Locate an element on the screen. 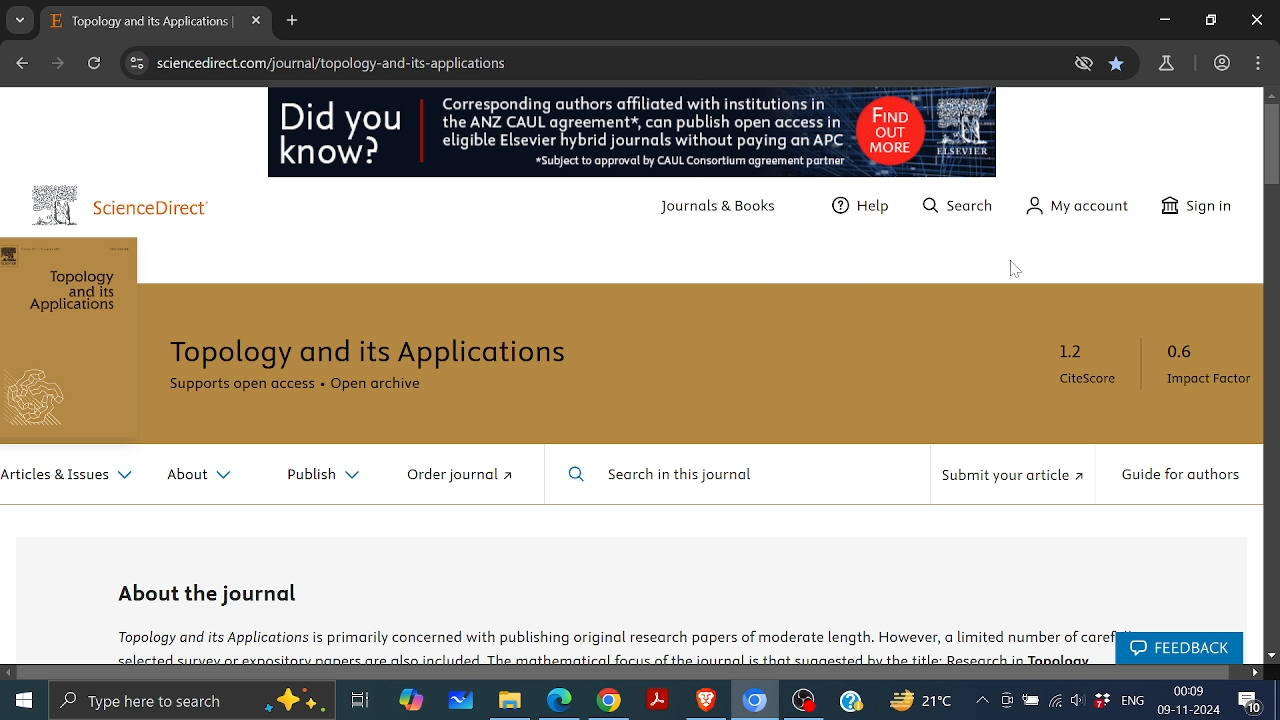 This screenshot has width=1280, height=720. Publish is located at coordinates (315, 475).